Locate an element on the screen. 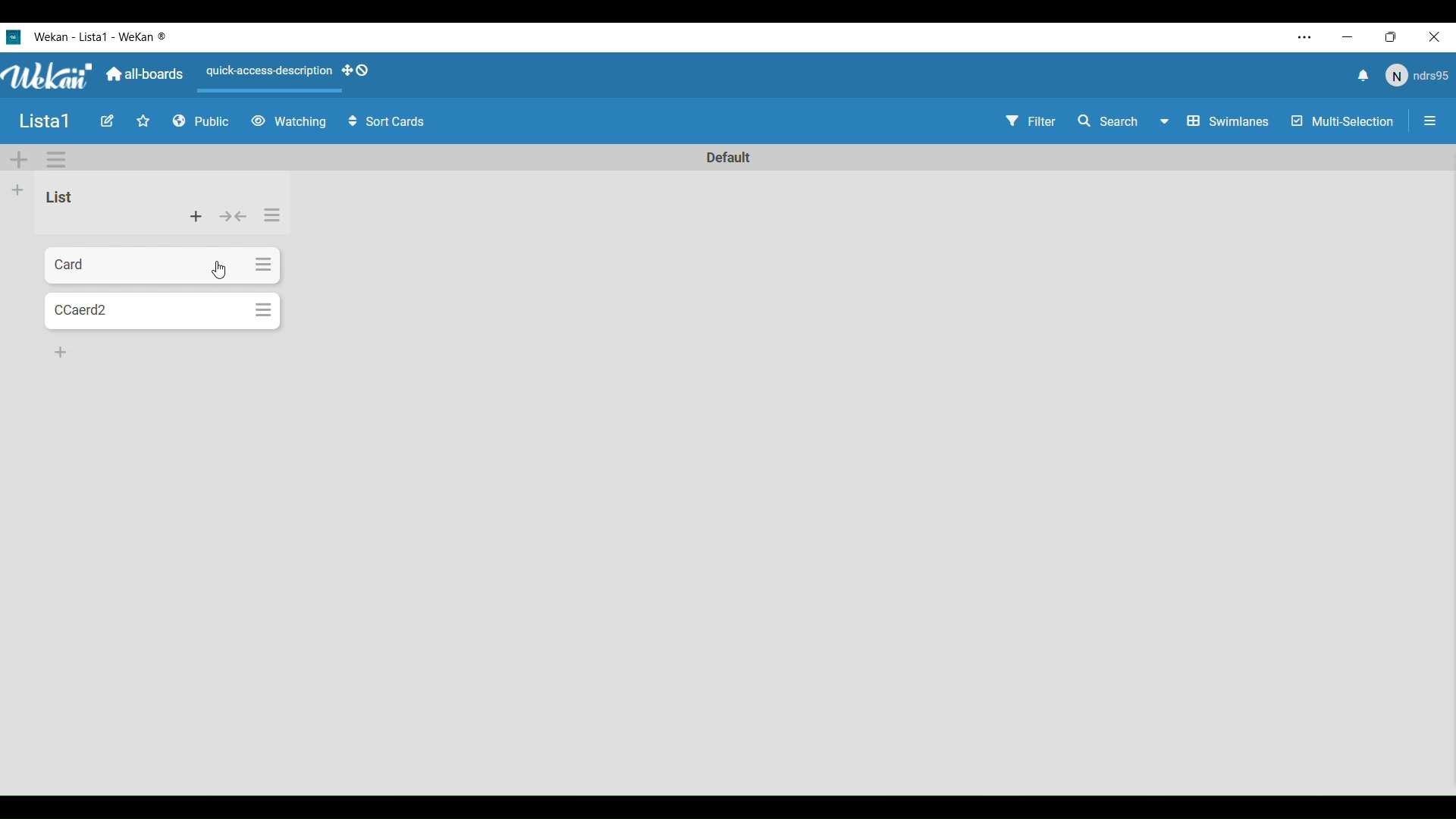 The height and width of the screenshot is (819, 1456). Settings and more is located at coordinates (1306, 37).